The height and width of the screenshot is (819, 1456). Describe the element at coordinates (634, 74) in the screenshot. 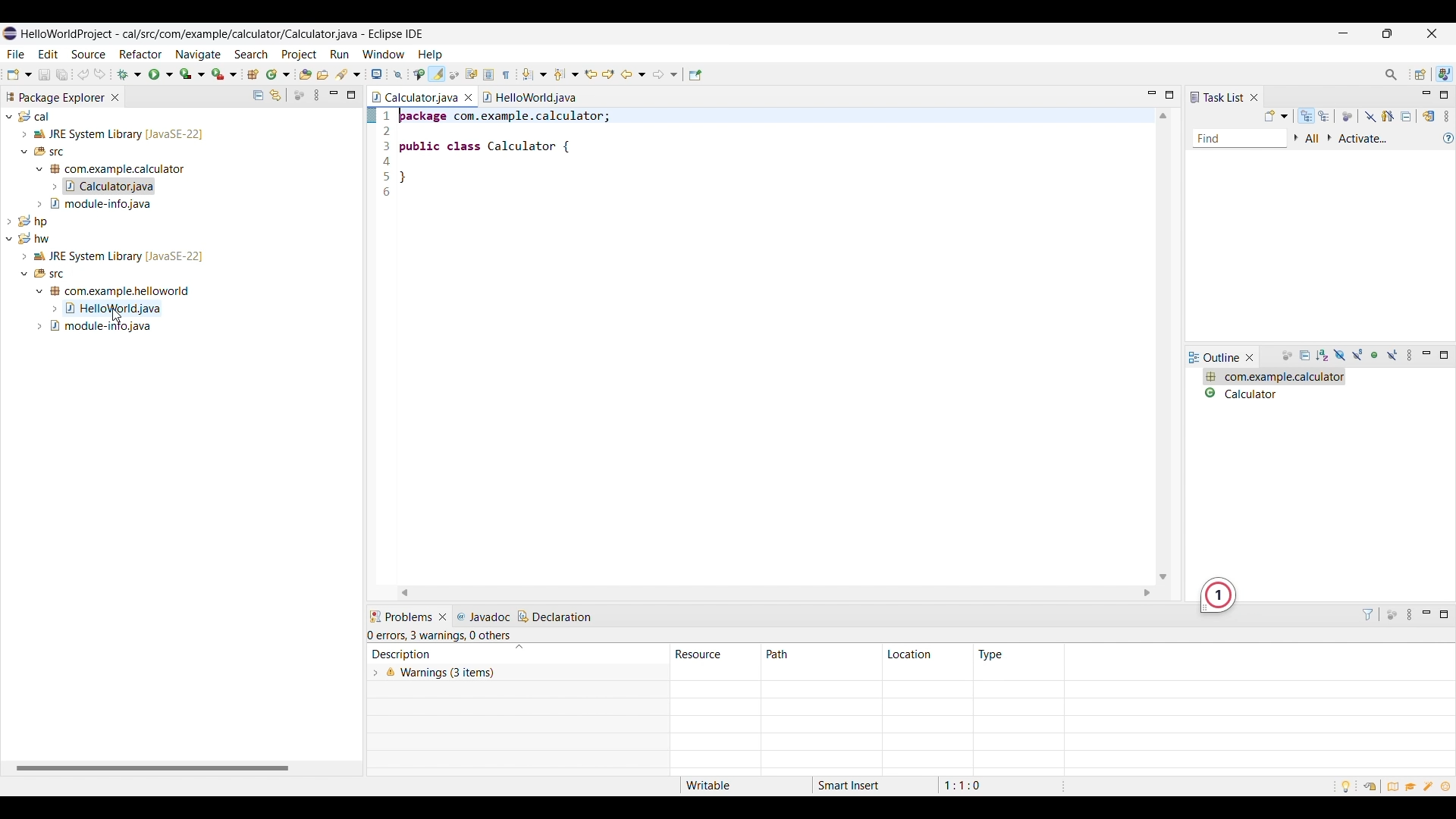

I see `Back options` at that location.